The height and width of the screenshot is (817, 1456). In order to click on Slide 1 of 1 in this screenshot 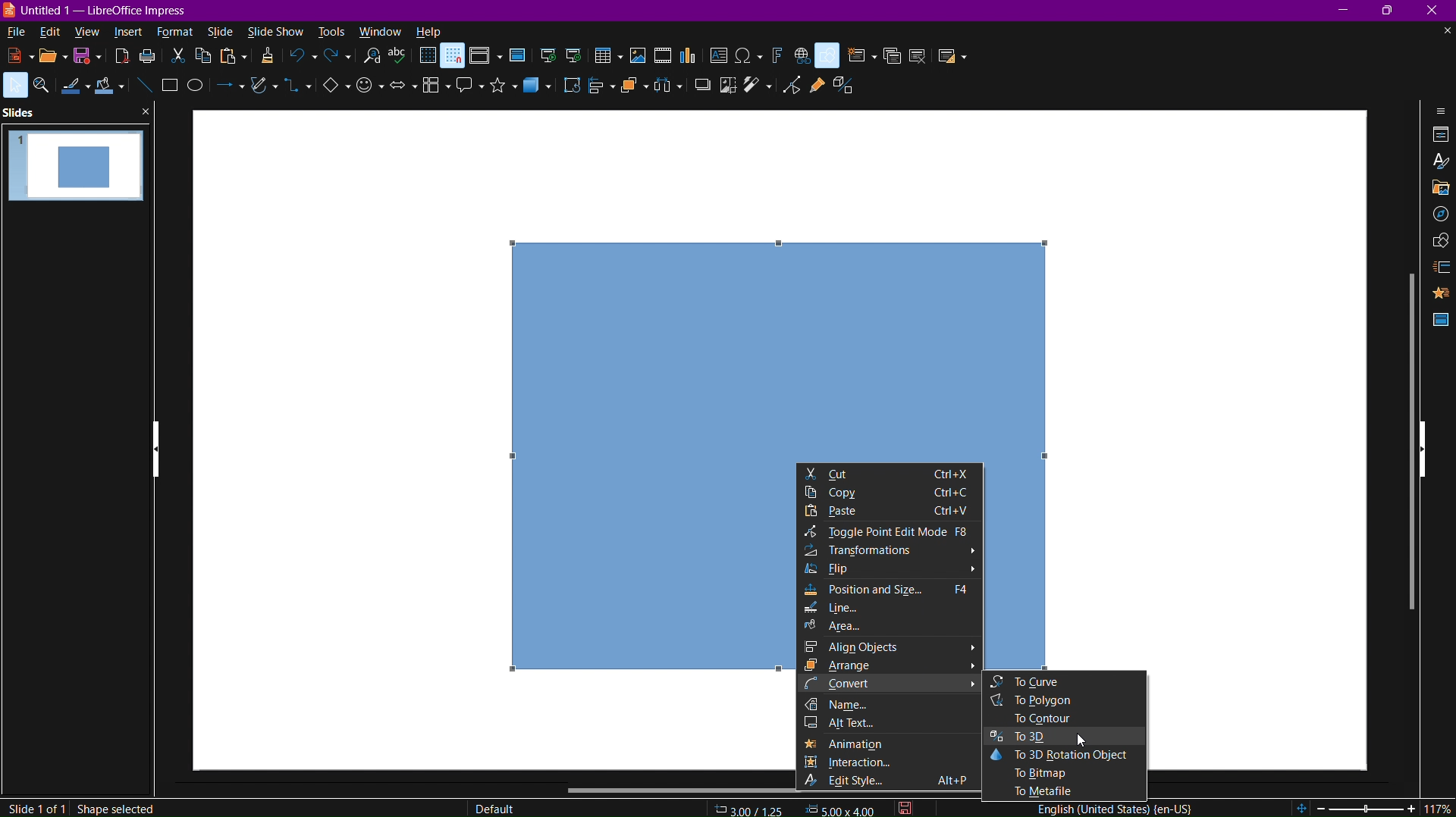, I will do `click(35, 808)`.